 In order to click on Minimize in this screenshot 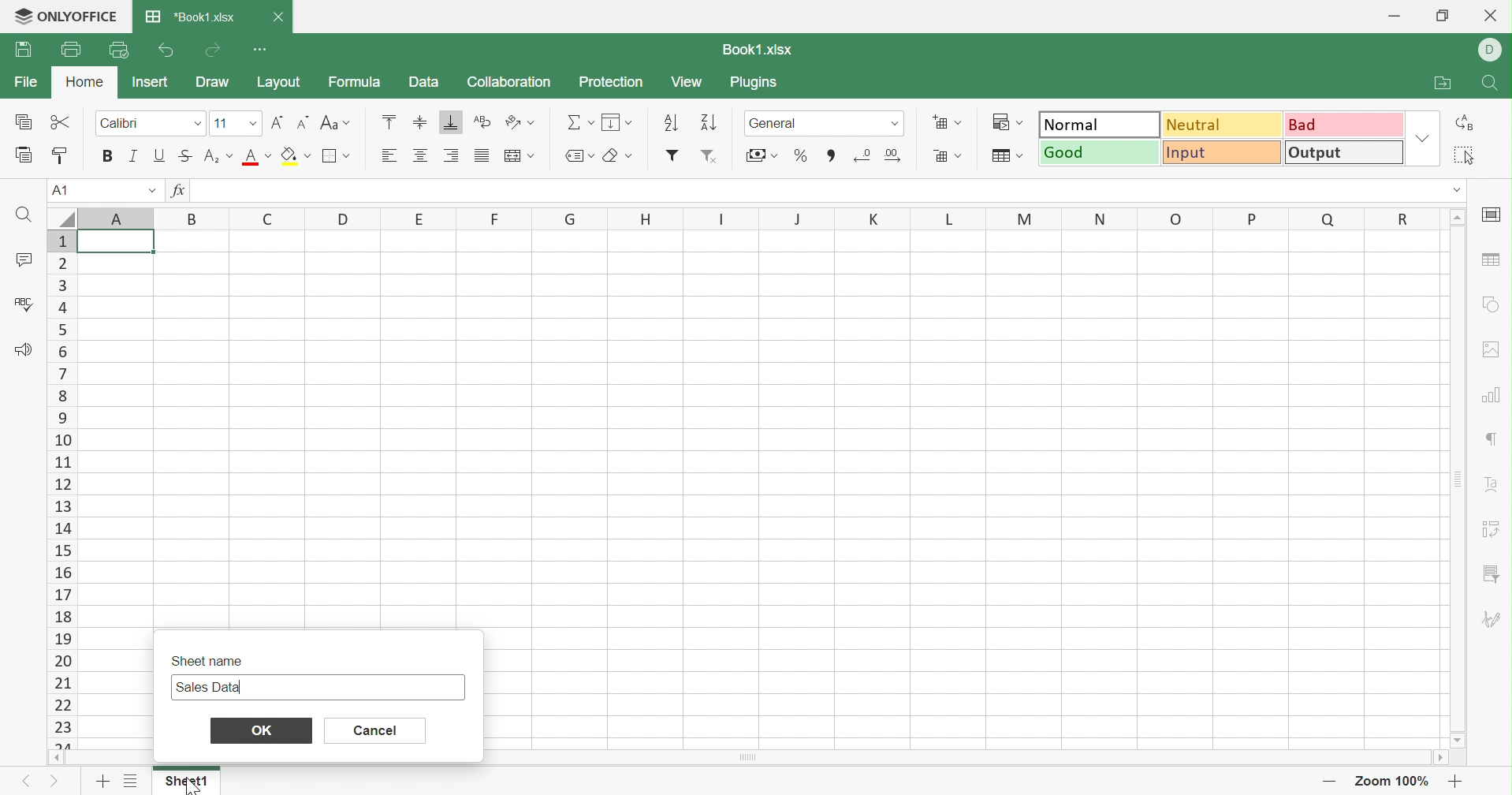, I will do `click(1394, 15)`.